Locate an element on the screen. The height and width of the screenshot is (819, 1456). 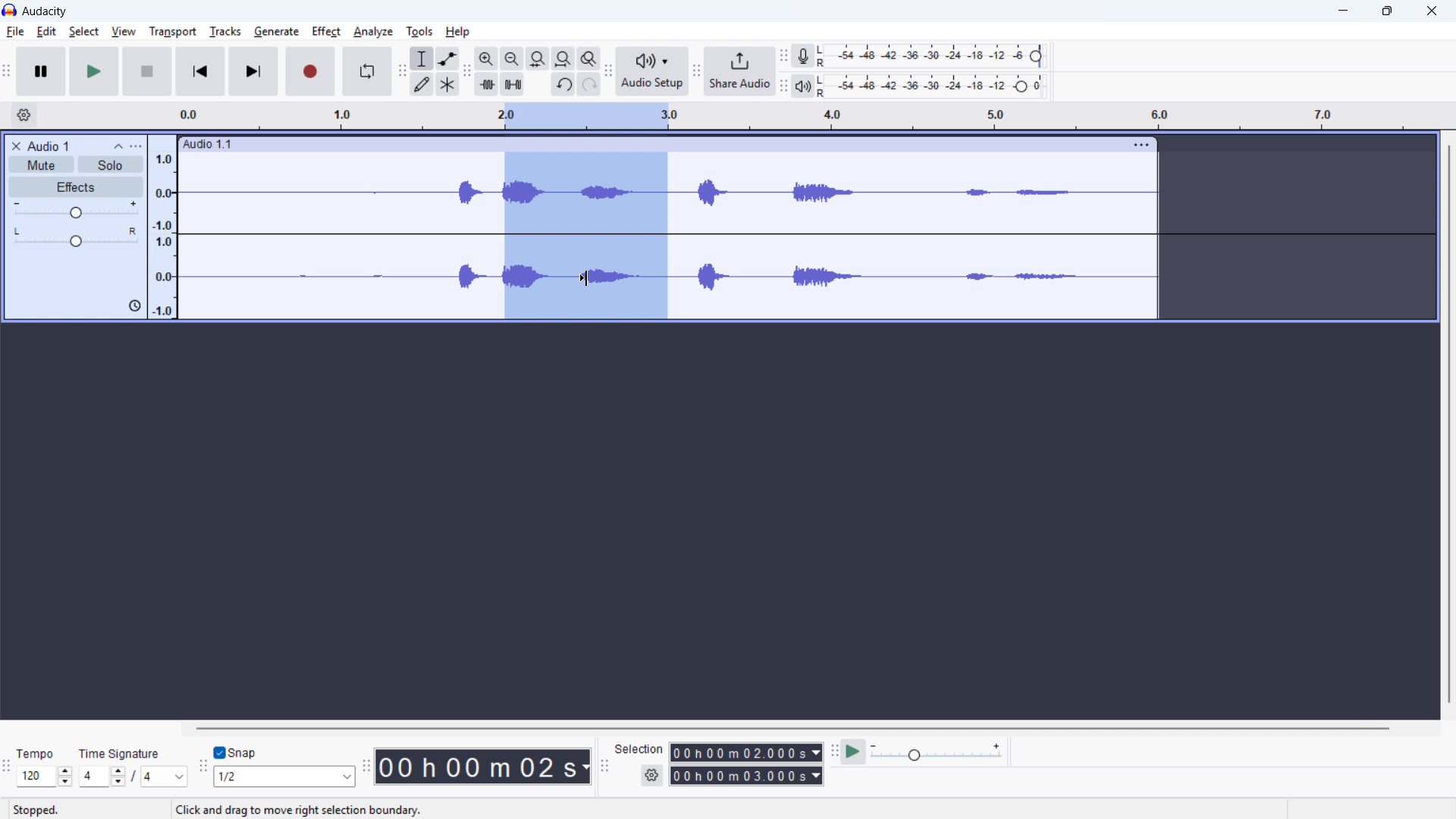
Timeline settings is located at coordinates (24, 116).